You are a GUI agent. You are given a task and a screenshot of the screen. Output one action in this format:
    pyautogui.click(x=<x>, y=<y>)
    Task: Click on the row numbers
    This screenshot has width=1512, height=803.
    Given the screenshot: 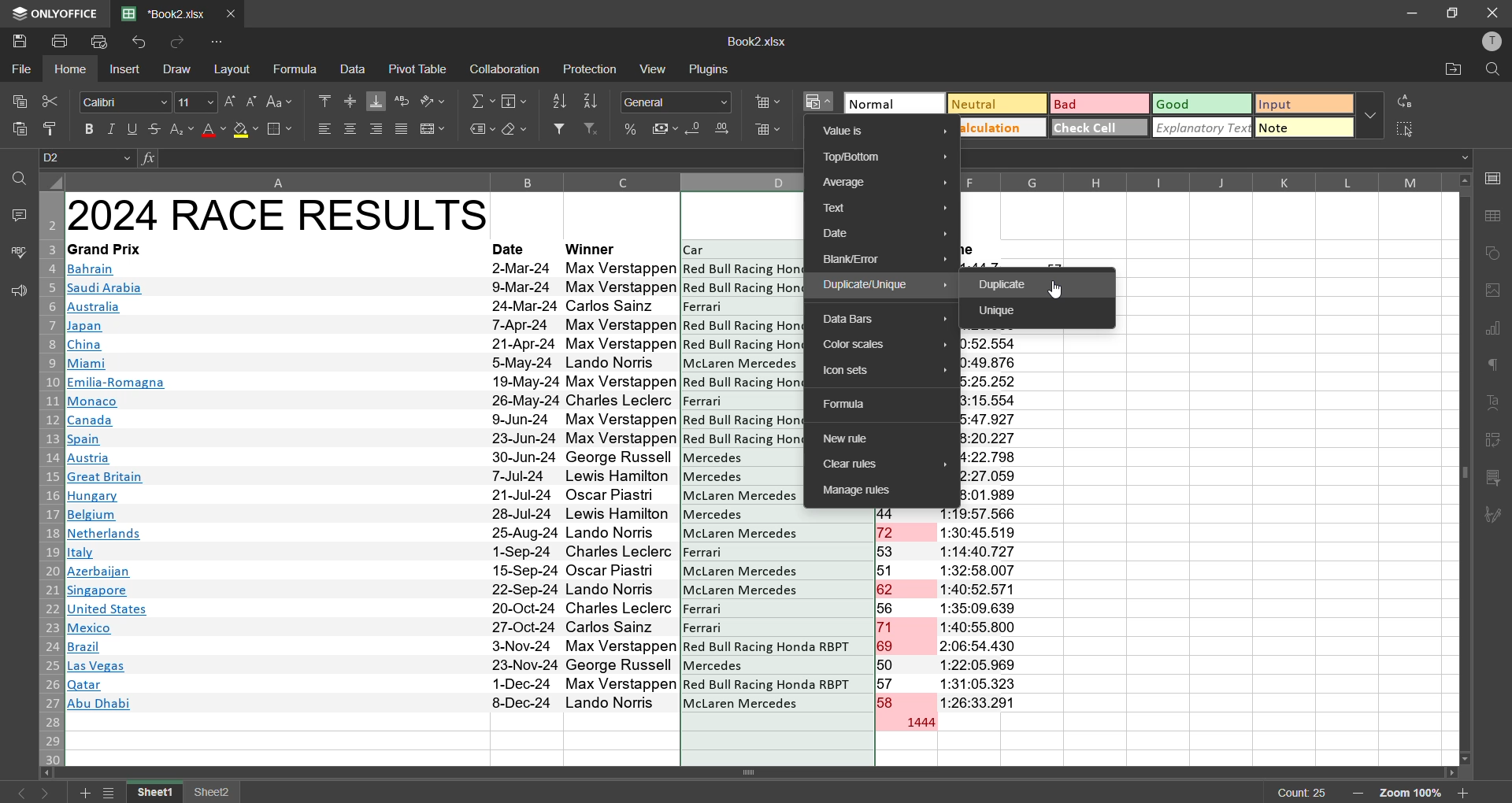 What is the action you would take?
    pyautogui.click(x=48, y=479)
    